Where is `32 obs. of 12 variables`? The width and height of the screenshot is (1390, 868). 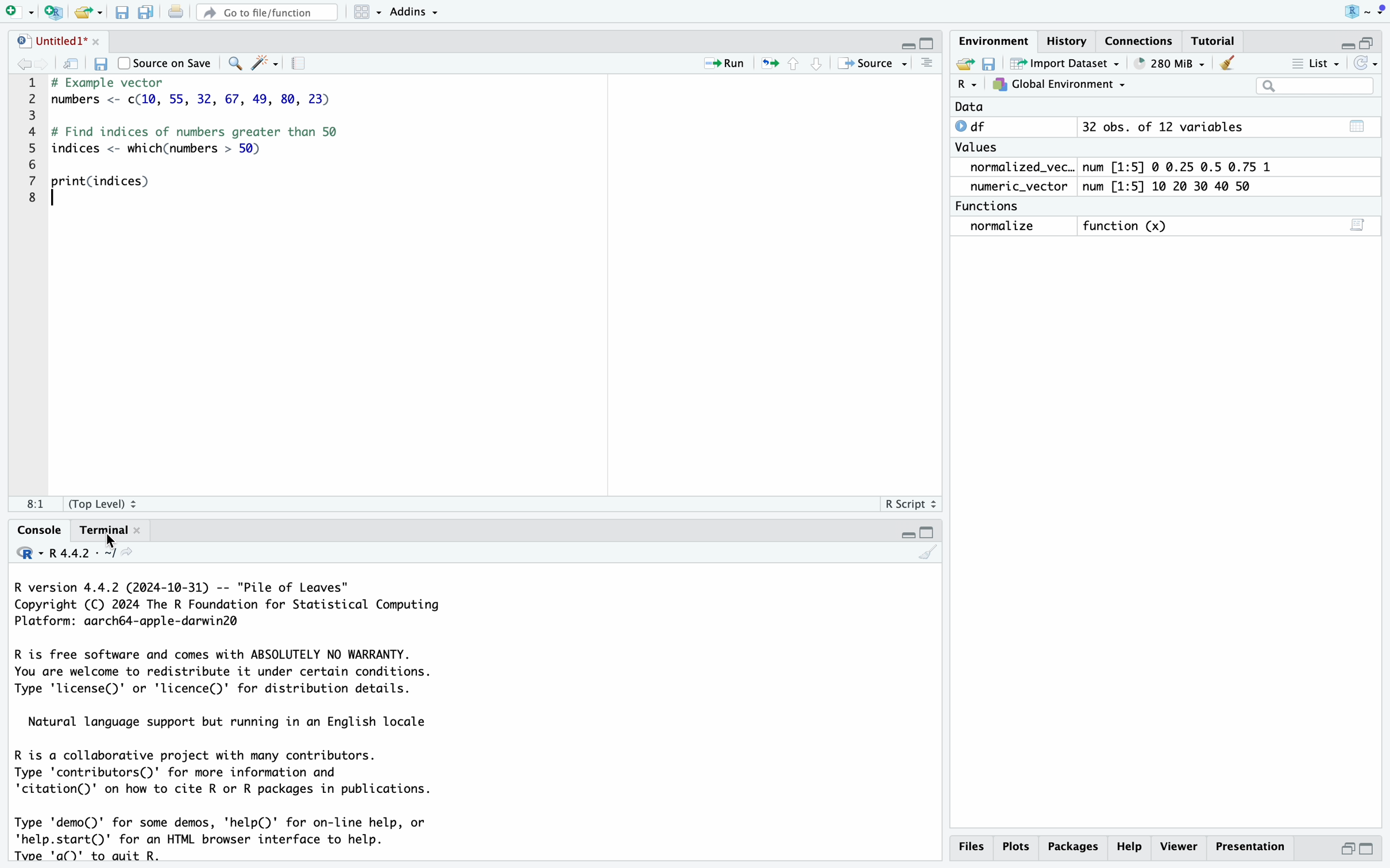
32 obs. of 12 variables is located at coordinates (1227, 130).